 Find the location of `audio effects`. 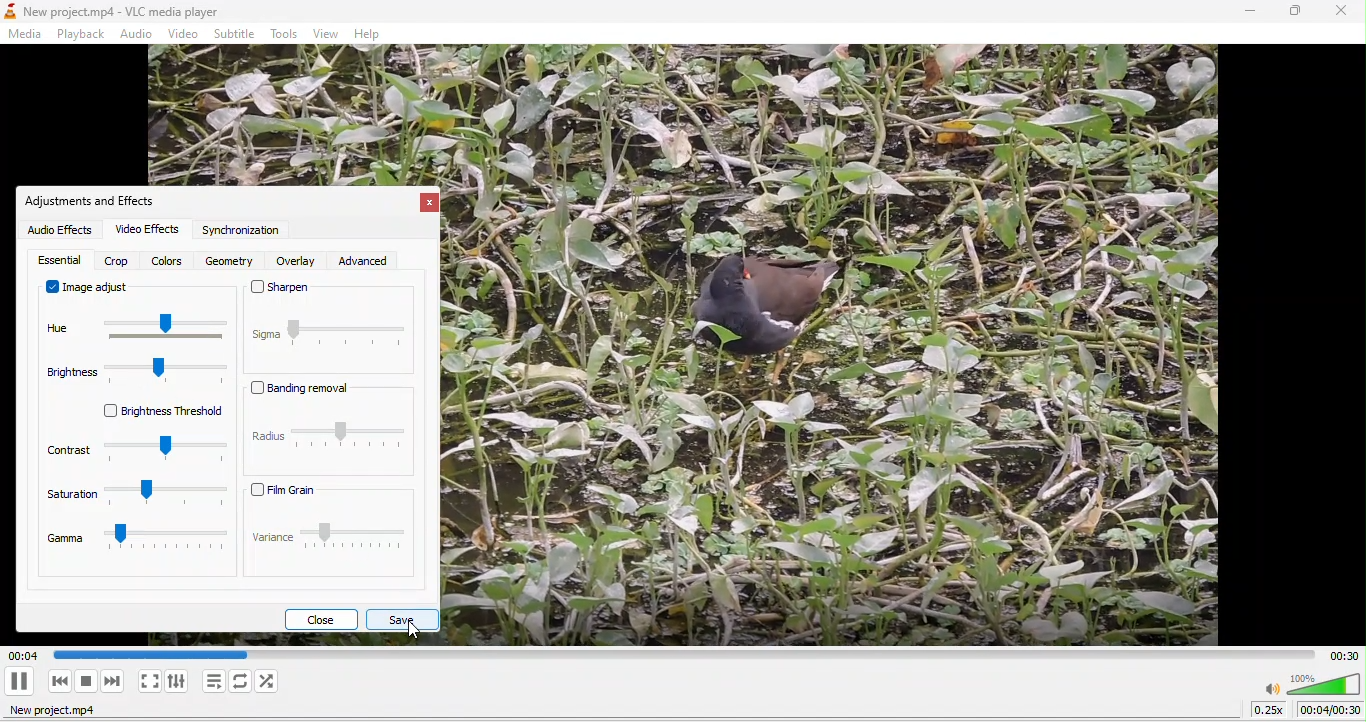

audio effects is located at coordinates (59, 231).